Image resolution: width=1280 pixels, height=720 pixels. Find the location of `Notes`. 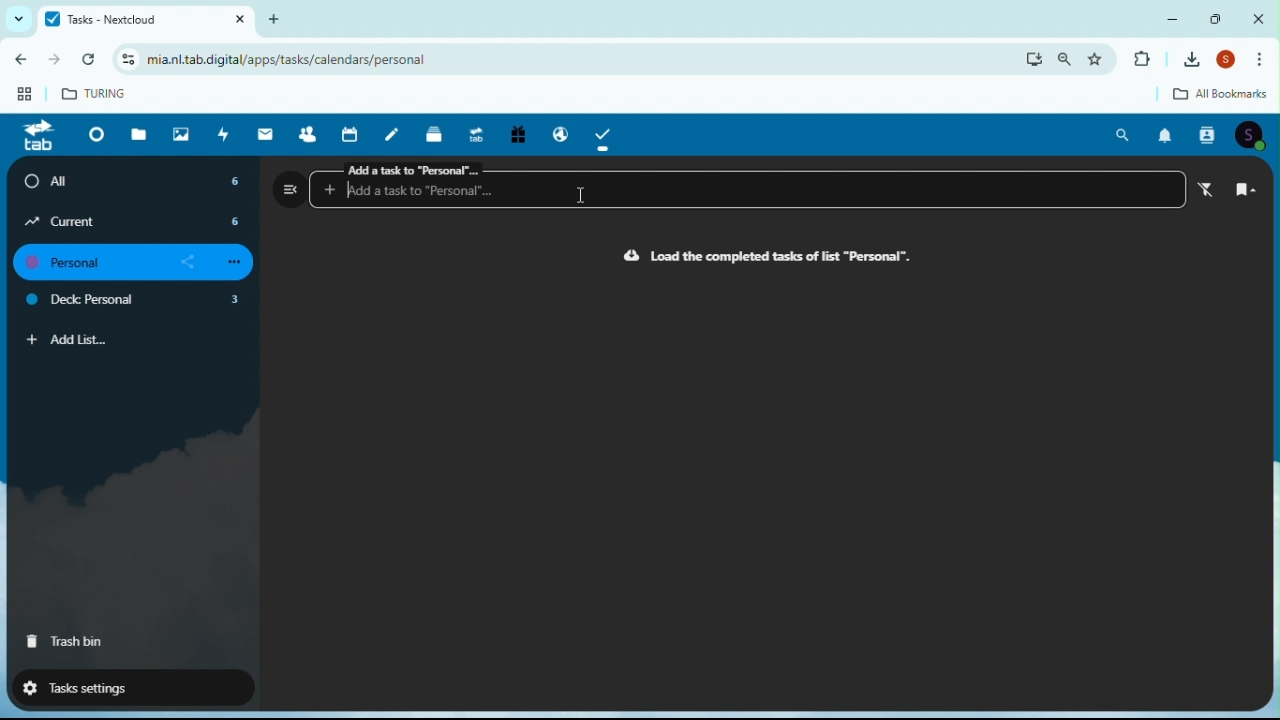

Notes is located at coordinates (396, 133).